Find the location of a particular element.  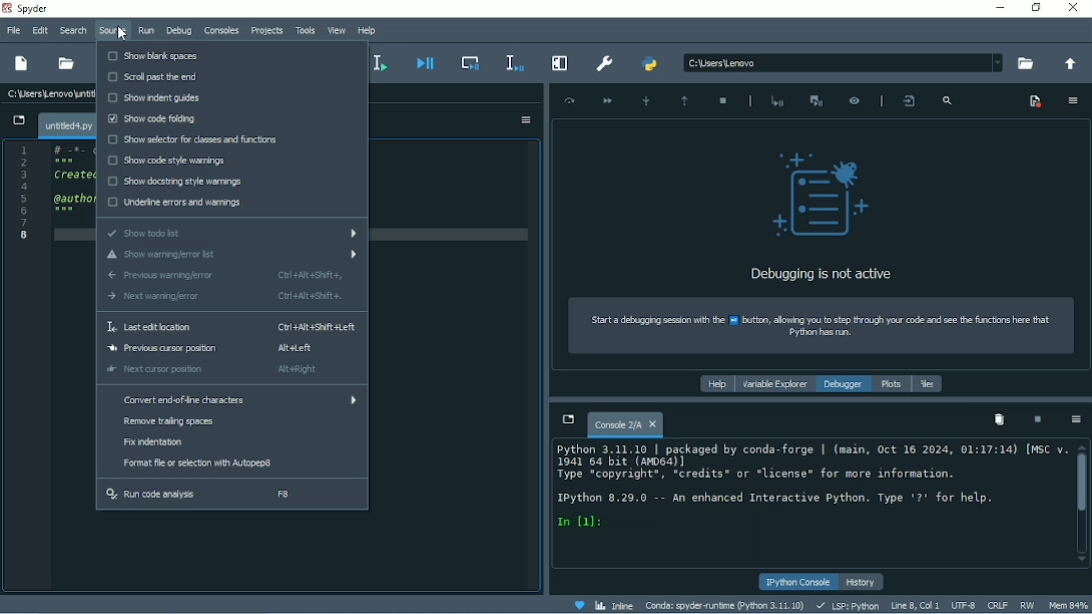

Execute current line is located at coordinates (570, 100).